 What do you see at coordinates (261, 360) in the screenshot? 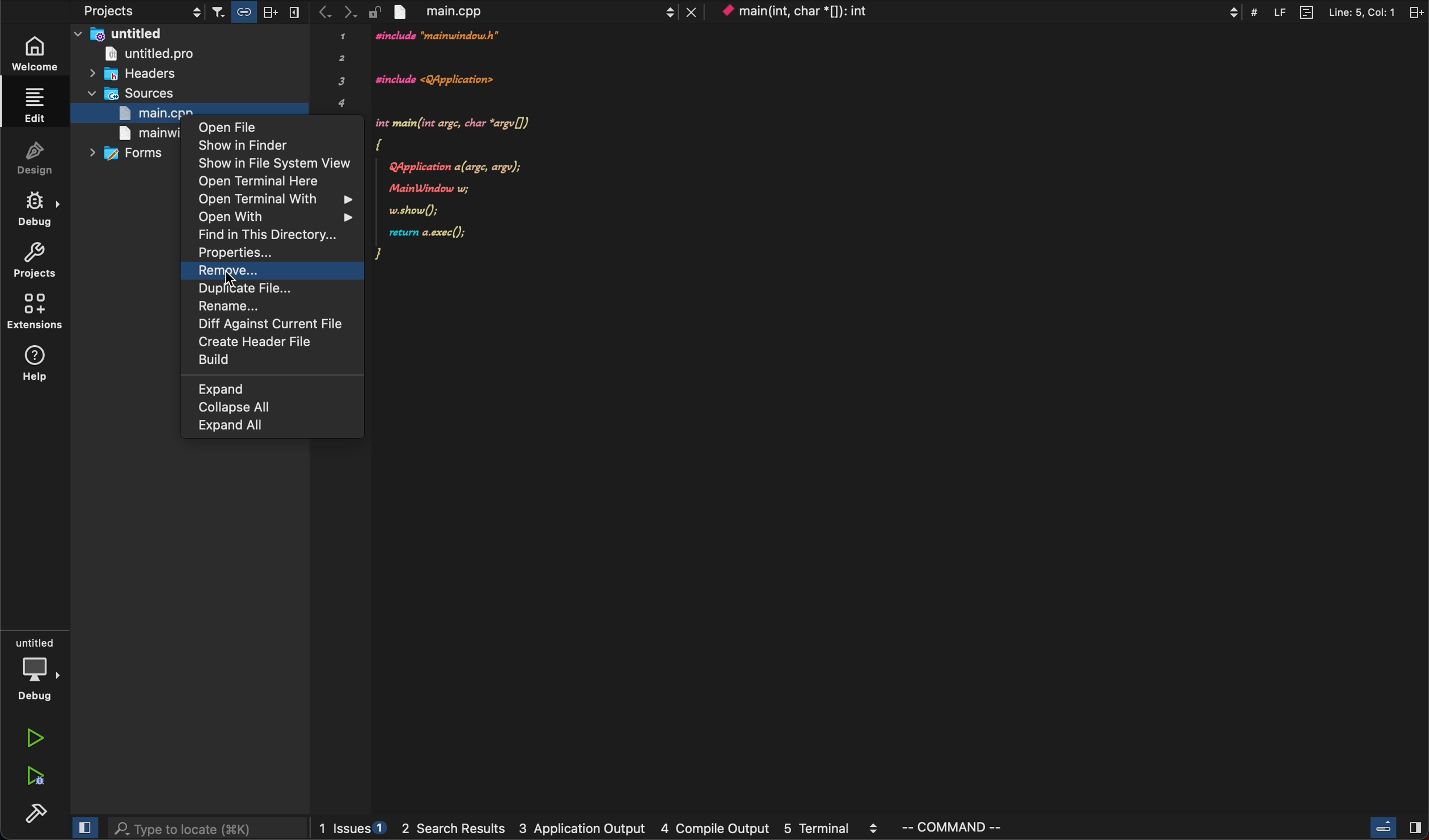
I see `build` at bounding box center [261, 360].